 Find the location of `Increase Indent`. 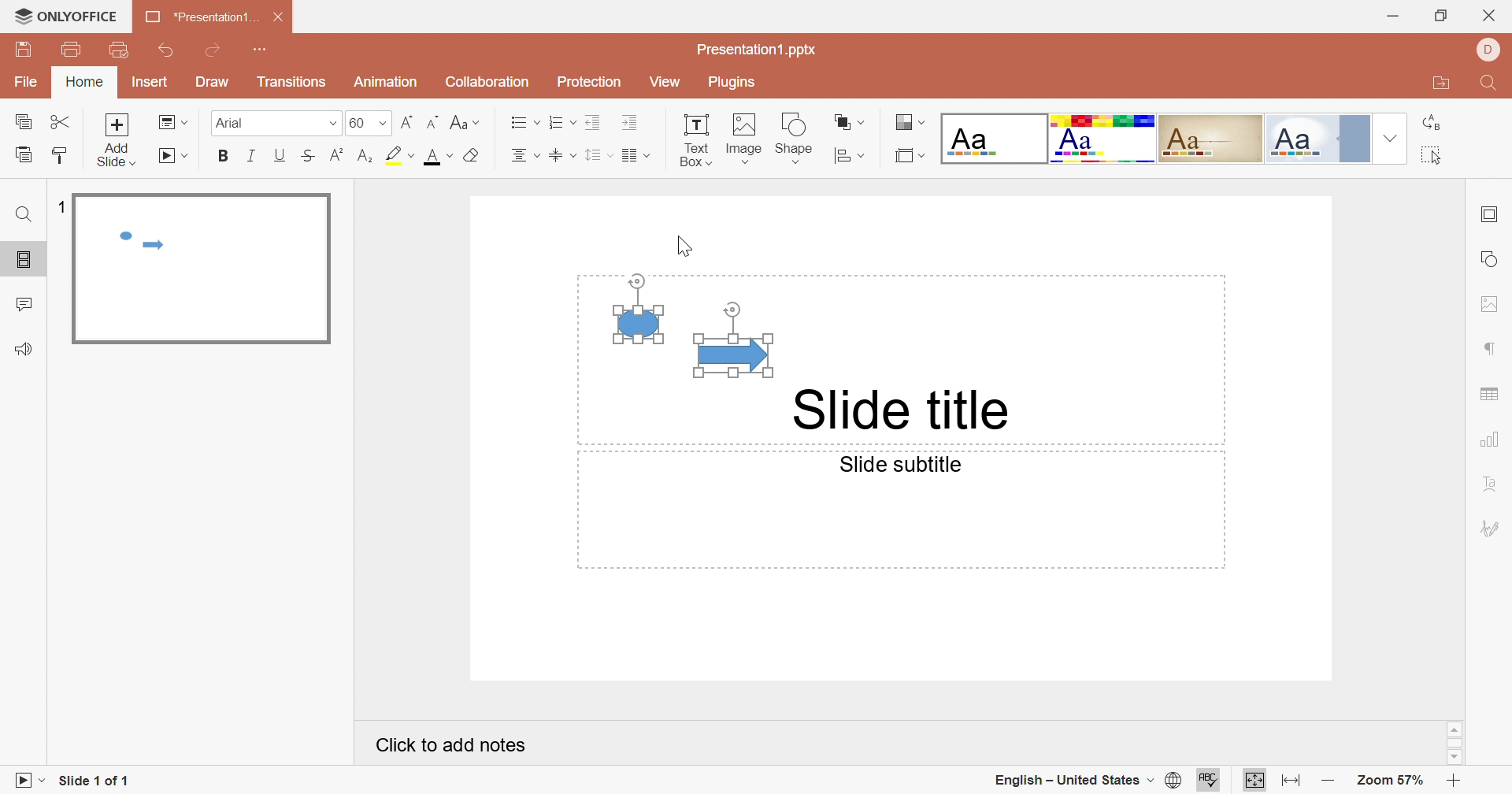

Increase Indent is located at coordinates (630, 121).